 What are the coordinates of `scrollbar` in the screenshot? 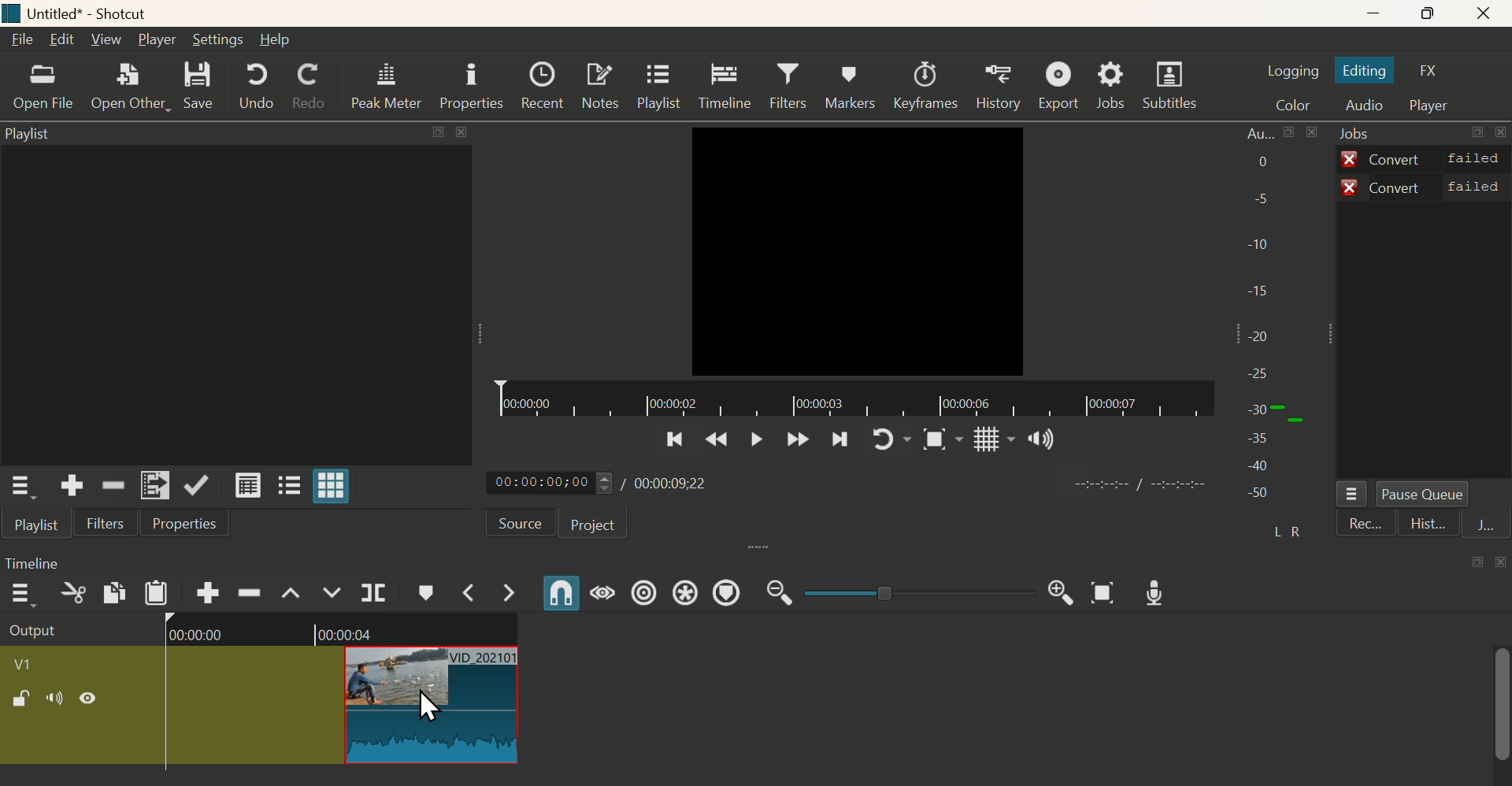 It's located at (1500, 707).